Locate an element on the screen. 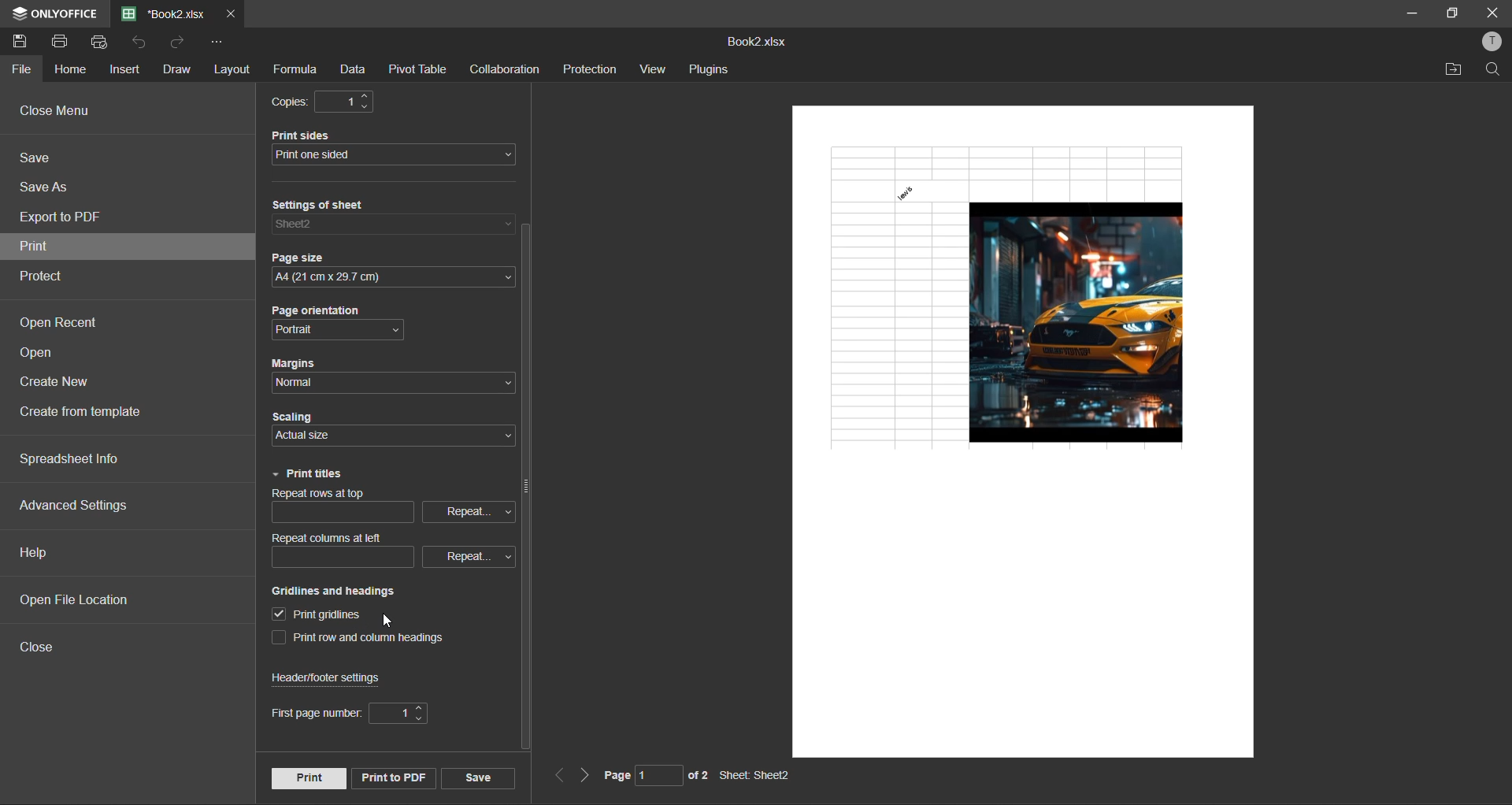 This screenshot has height=805, width=1512. cursor is located at coordinates (390, 621).